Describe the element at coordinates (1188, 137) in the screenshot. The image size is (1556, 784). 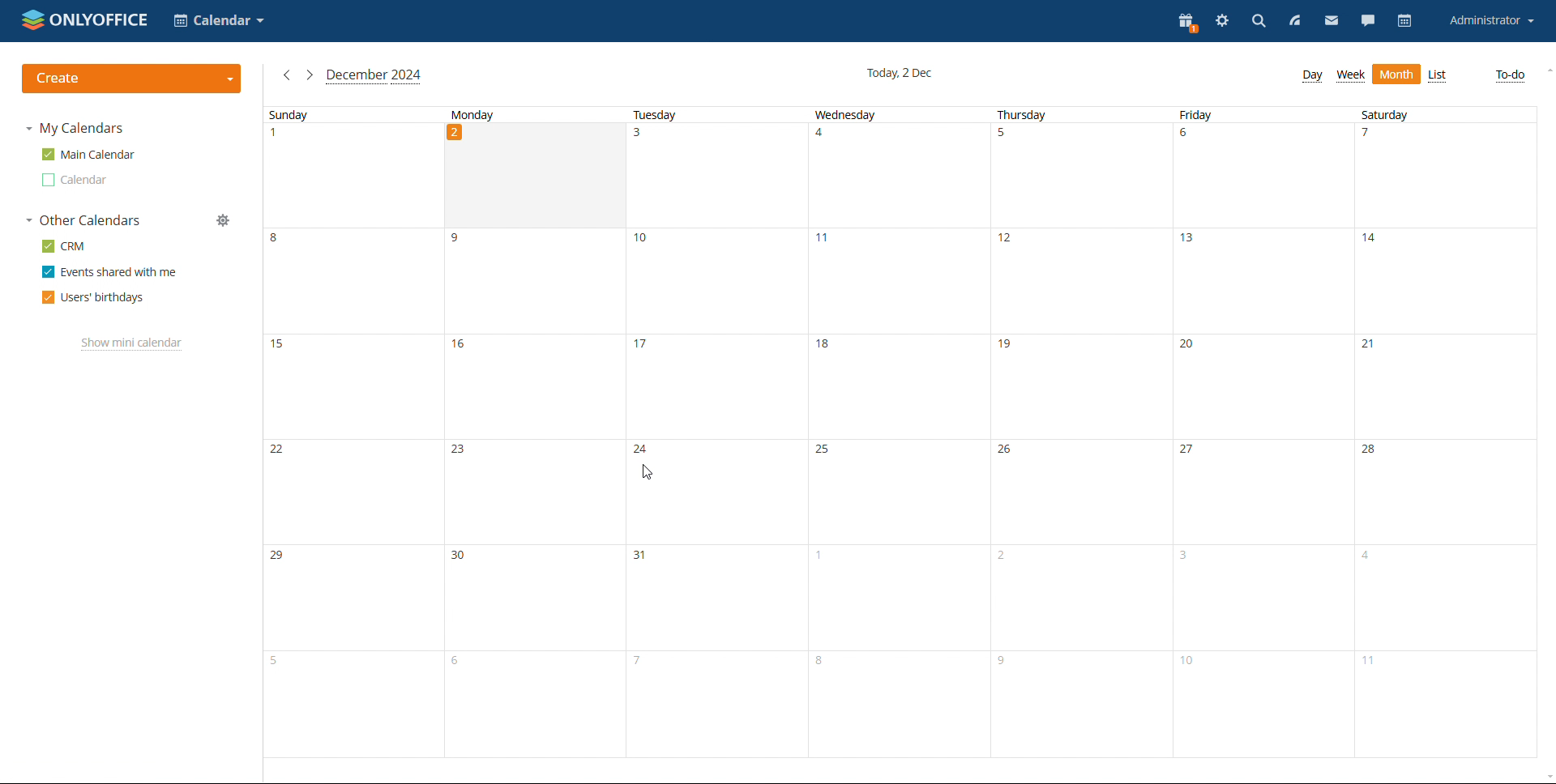
I see `6` at that location.